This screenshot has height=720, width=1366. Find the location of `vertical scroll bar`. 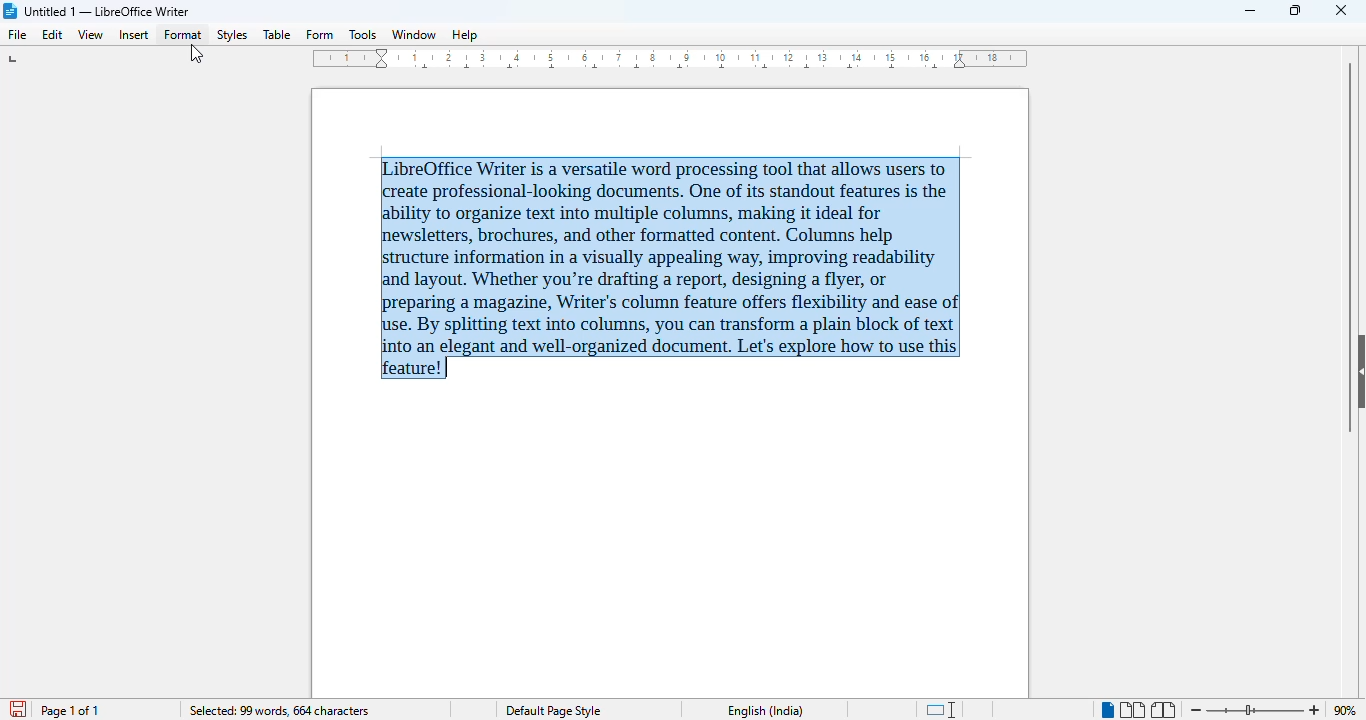

vertical scroll bar is located at coordinates (1350, 246).